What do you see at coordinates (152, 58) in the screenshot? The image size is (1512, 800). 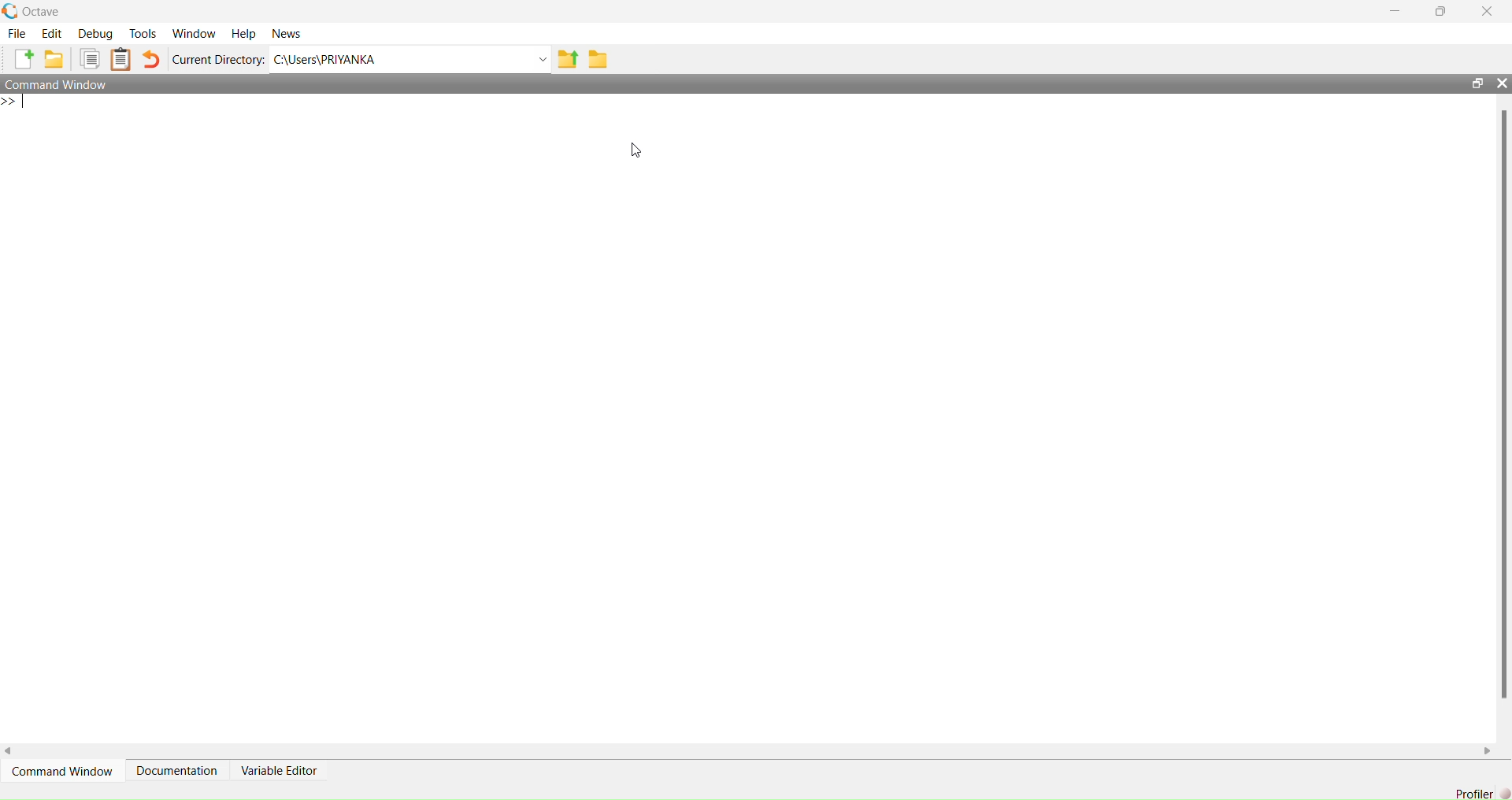 I see `Undo` at bounding box center [152, 58].